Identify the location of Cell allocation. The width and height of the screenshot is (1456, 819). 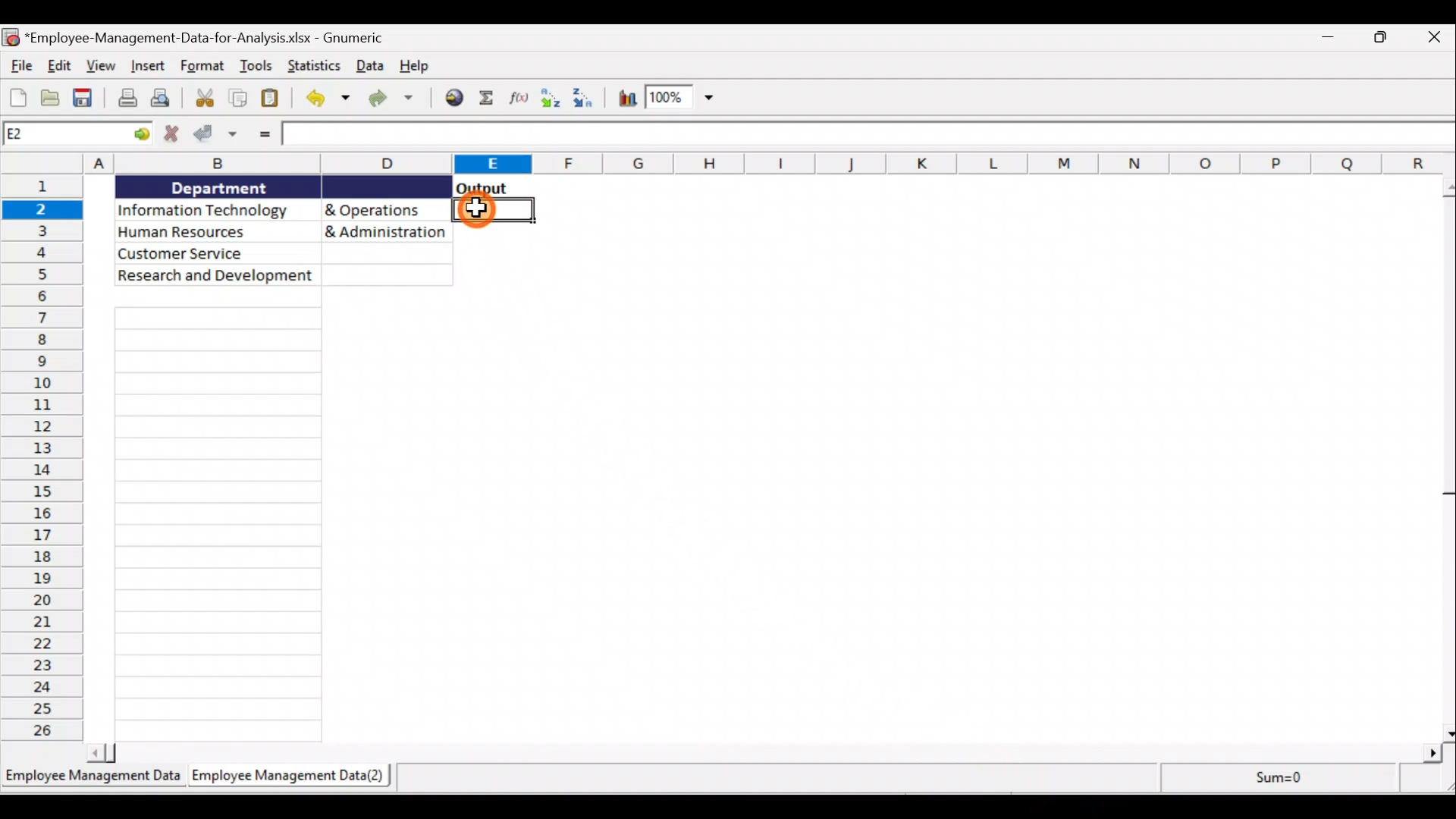
(77, 133).